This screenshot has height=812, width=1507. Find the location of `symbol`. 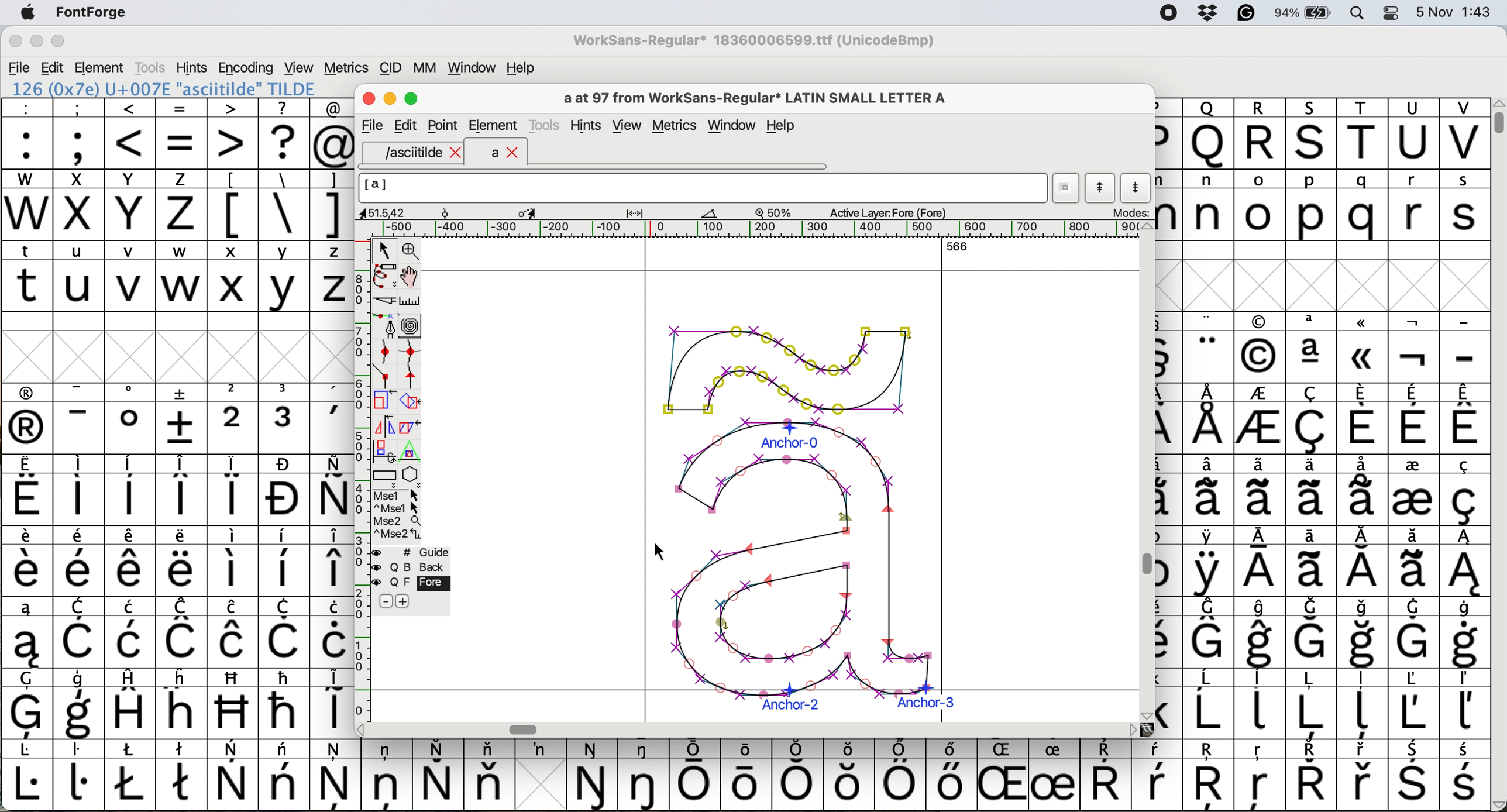

symbol is located at coordinates (332, 419).